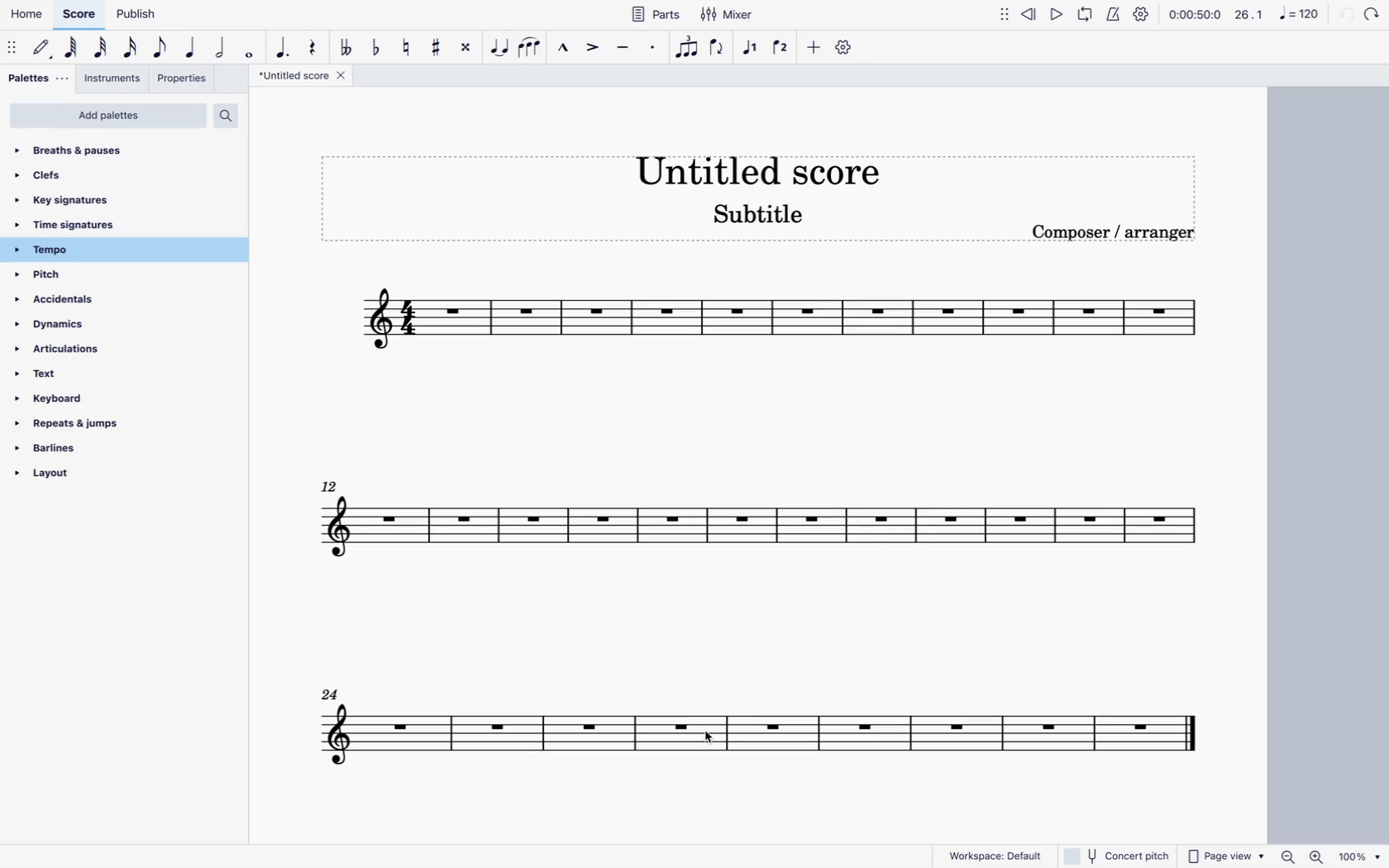 The width and height of the screenshot is (1389, 868). Describe the element at coordinates (135, 16) in the screenshot. I see `publish` at that location.